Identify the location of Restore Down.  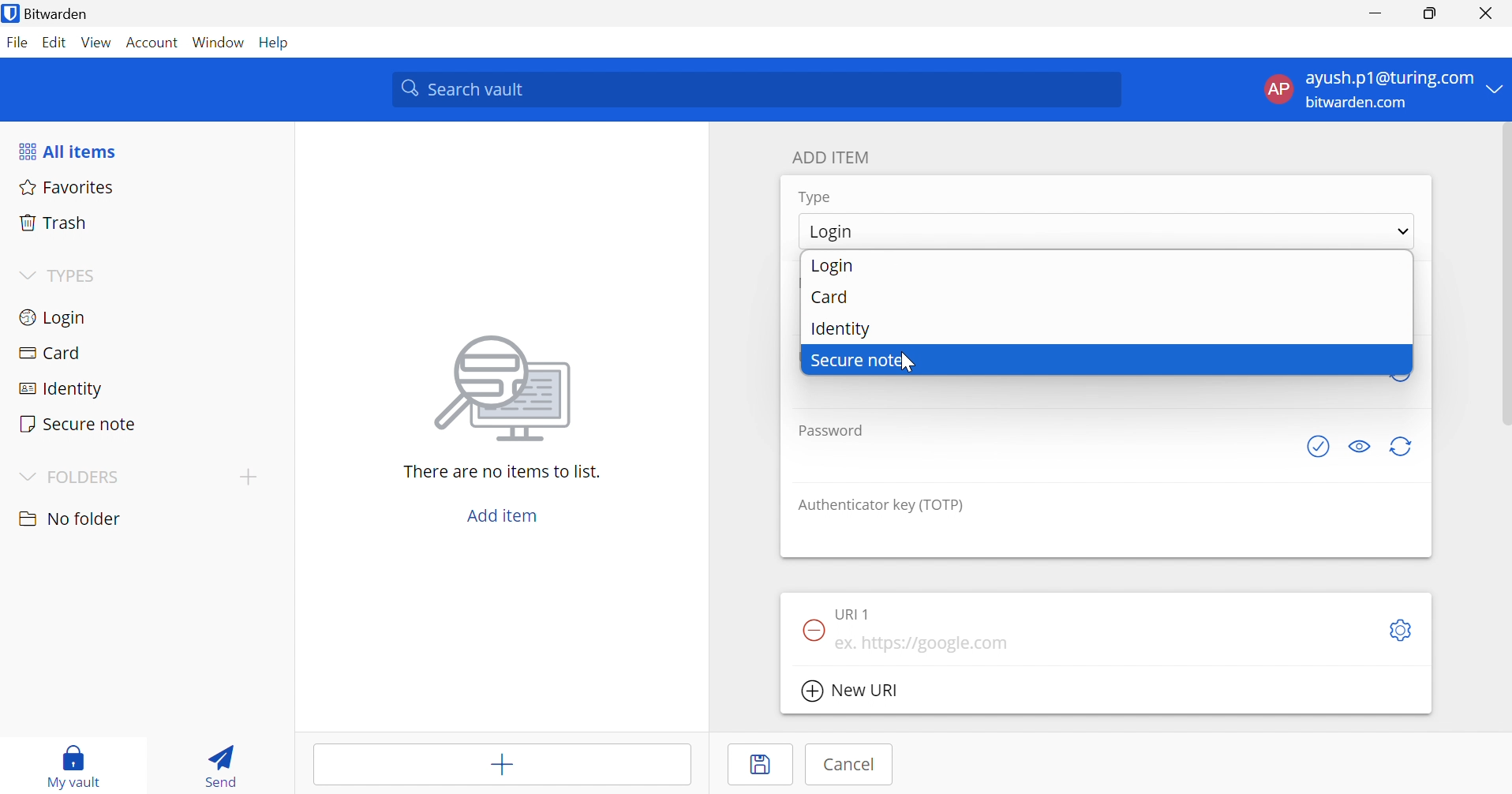
(1428, 15).